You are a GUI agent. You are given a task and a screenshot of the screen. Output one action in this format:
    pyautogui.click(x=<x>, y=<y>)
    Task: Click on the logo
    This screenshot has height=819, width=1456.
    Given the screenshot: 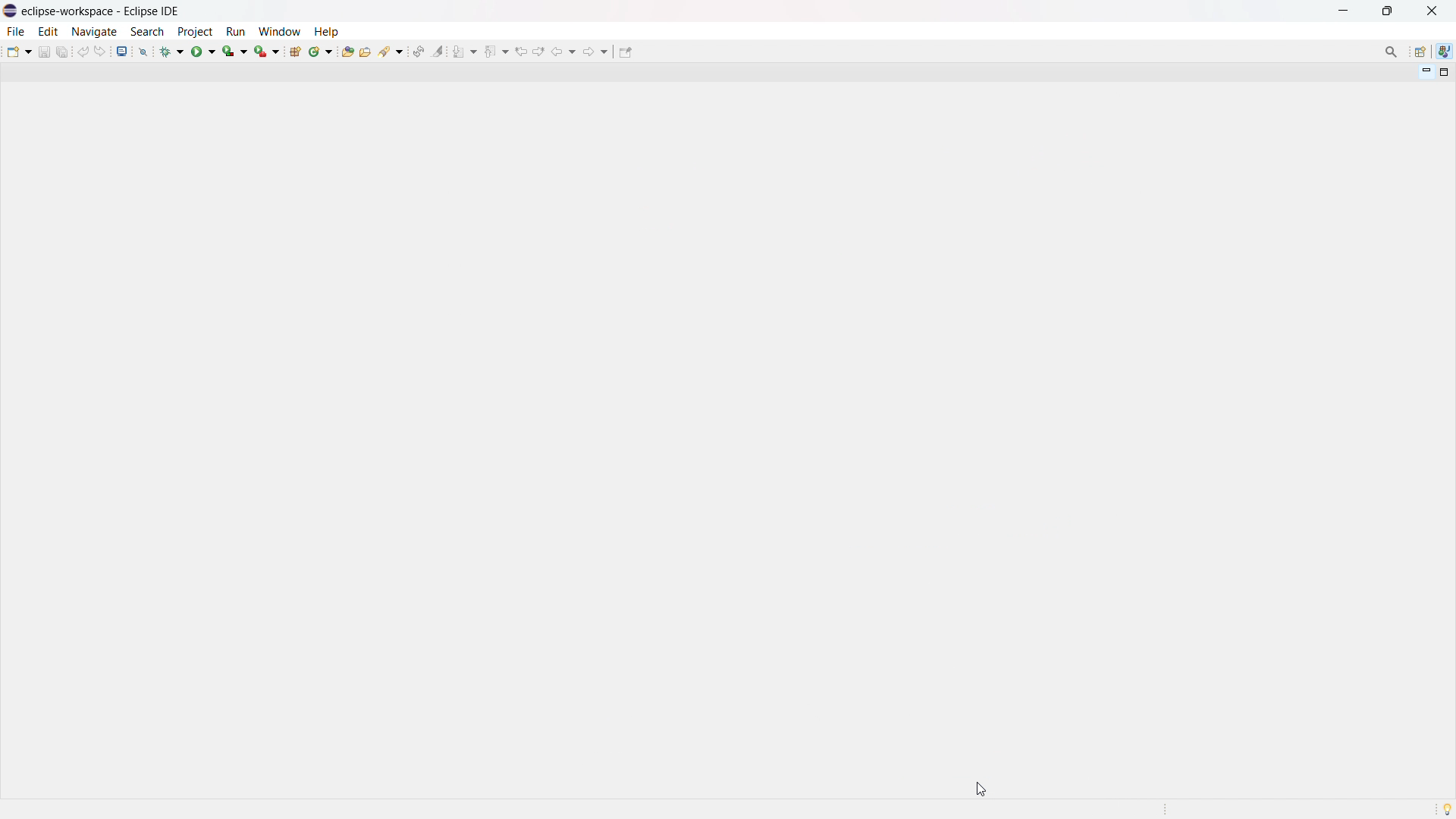 What is the action you would take?
    pyautogui.click(x=11, y=11)
    